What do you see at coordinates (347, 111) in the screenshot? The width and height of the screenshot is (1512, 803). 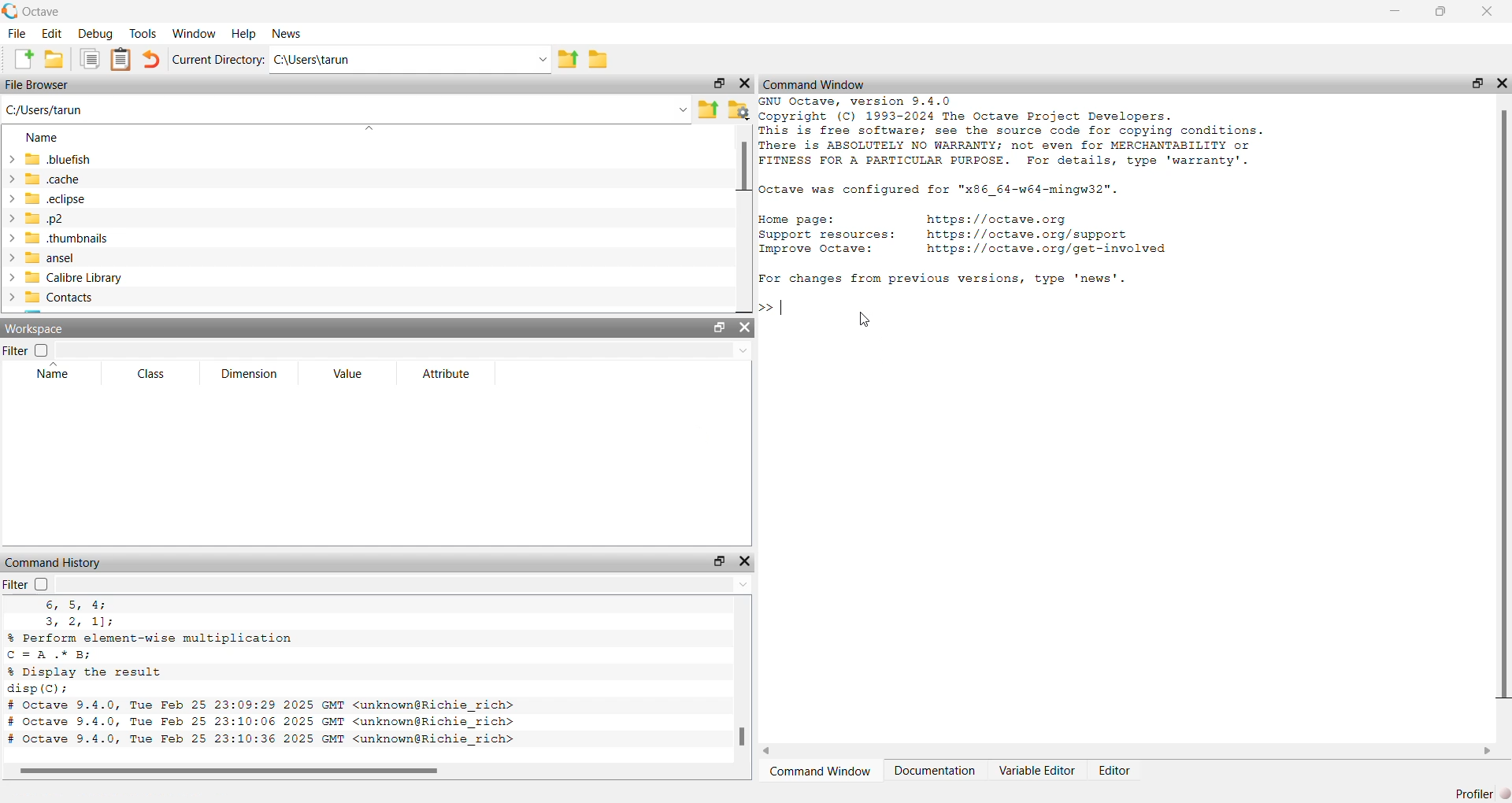 I see `C:/Users/tarun` at bounding box center [347, 111].